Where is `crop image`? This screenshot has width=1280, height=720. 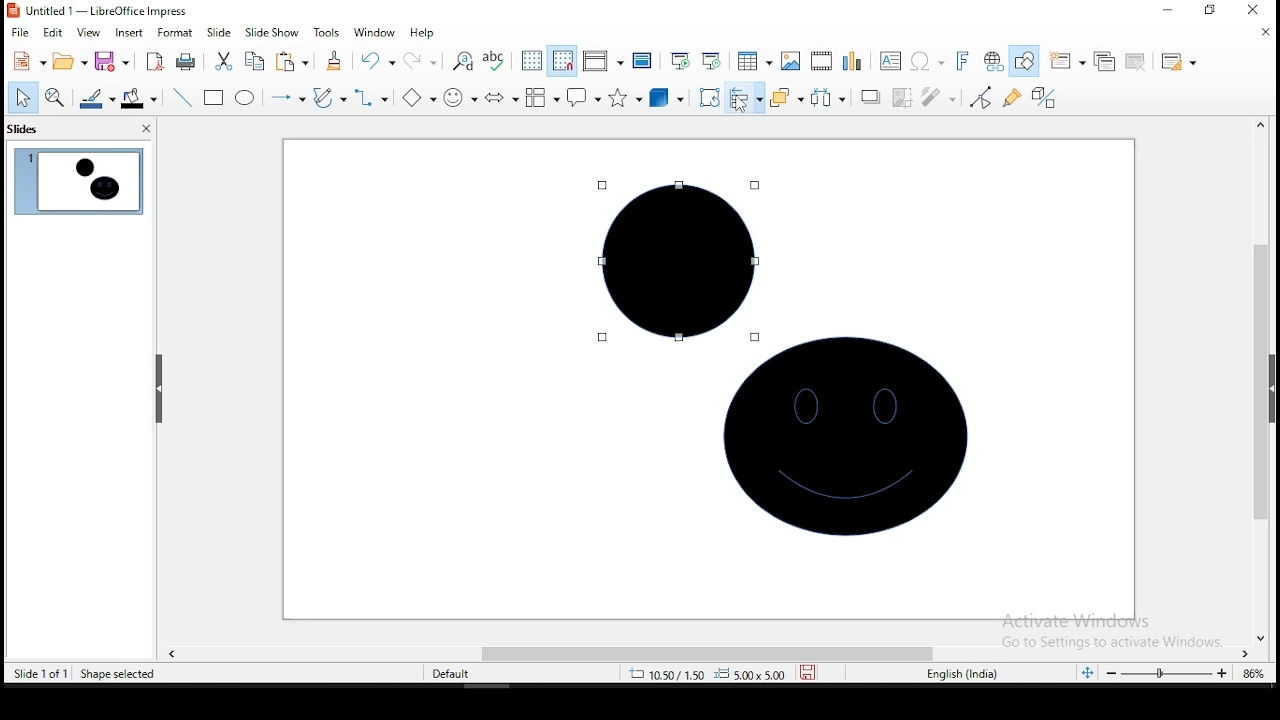
crop image is located at coordinates (902, 97).